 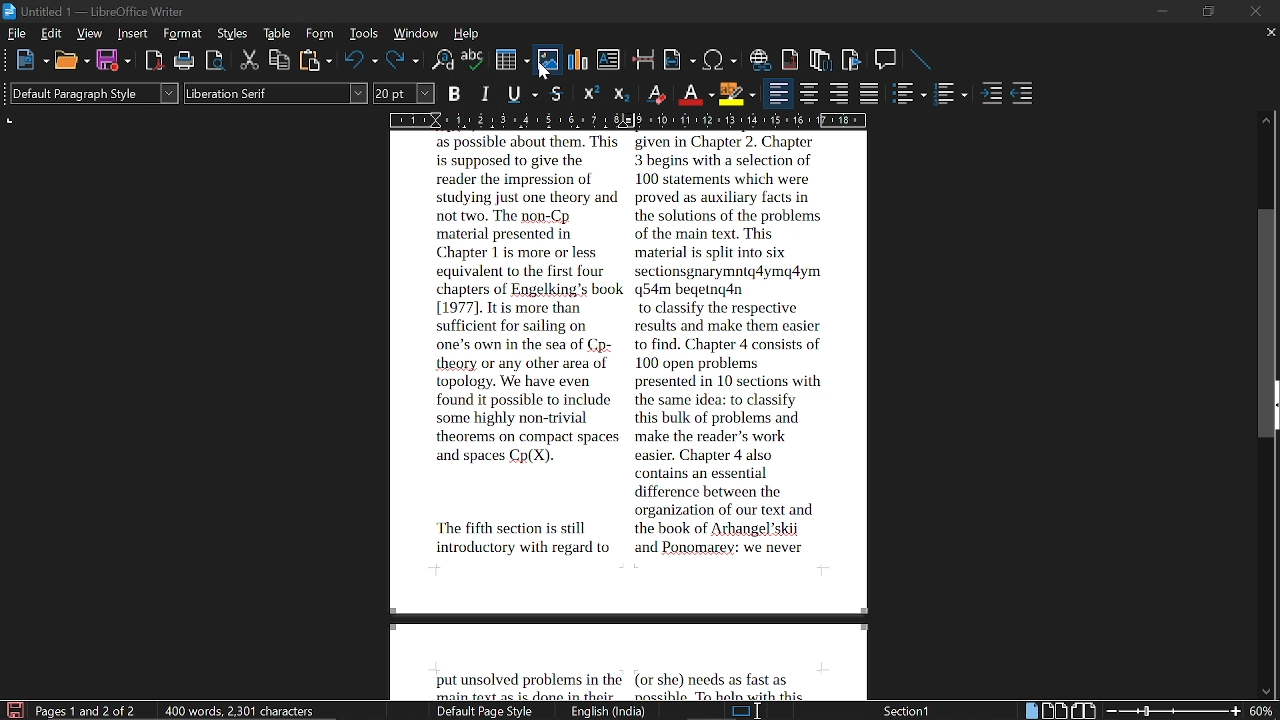 I want to click on open, so click(x=71, y=62).